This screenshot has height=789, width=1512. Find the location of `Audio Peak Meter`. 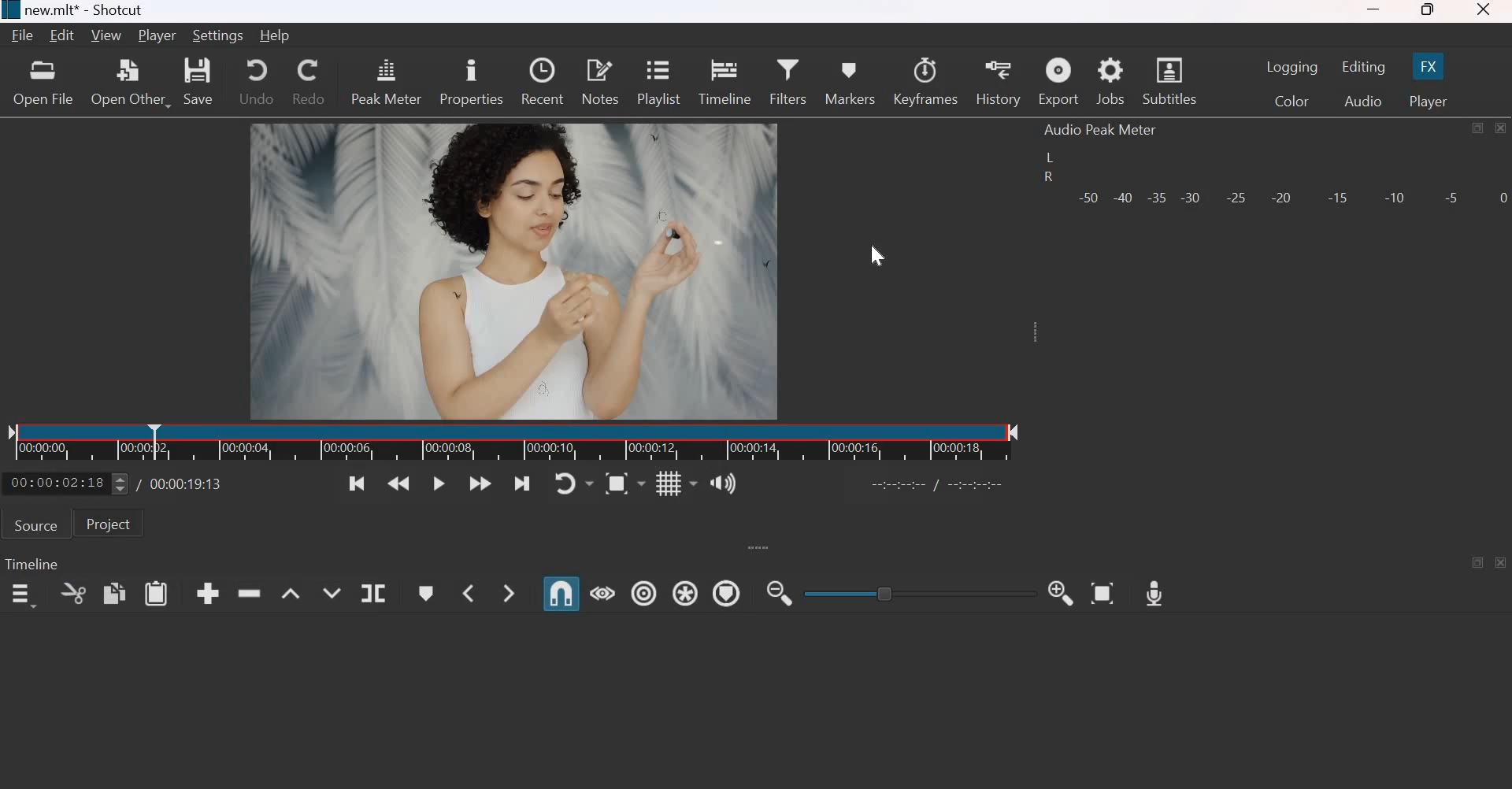

Audio Peak Meter is located at coordinates (1103, 130).